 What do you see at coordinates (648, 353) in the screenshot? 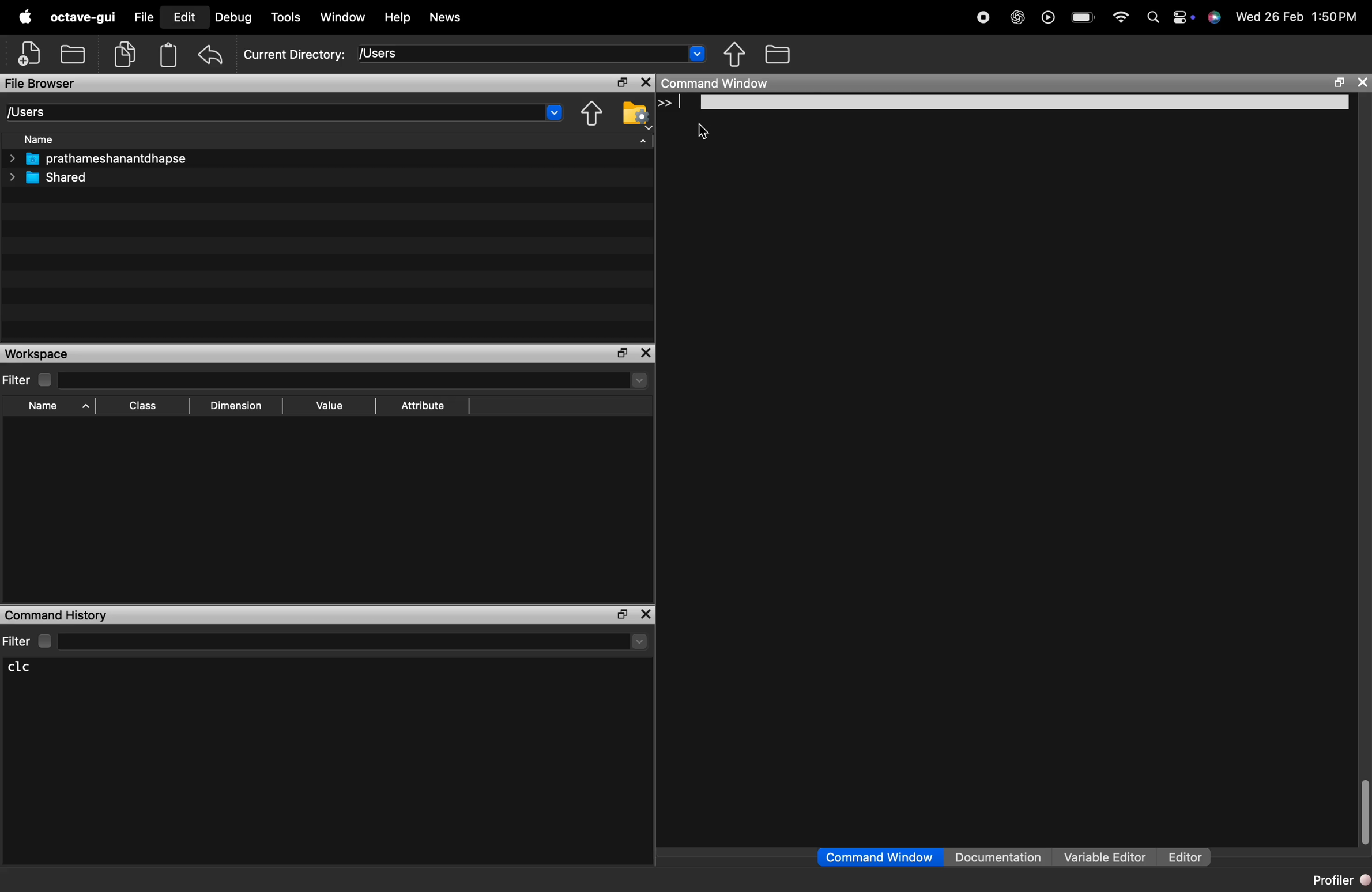
I see `close` at bounding box center [648, 353].